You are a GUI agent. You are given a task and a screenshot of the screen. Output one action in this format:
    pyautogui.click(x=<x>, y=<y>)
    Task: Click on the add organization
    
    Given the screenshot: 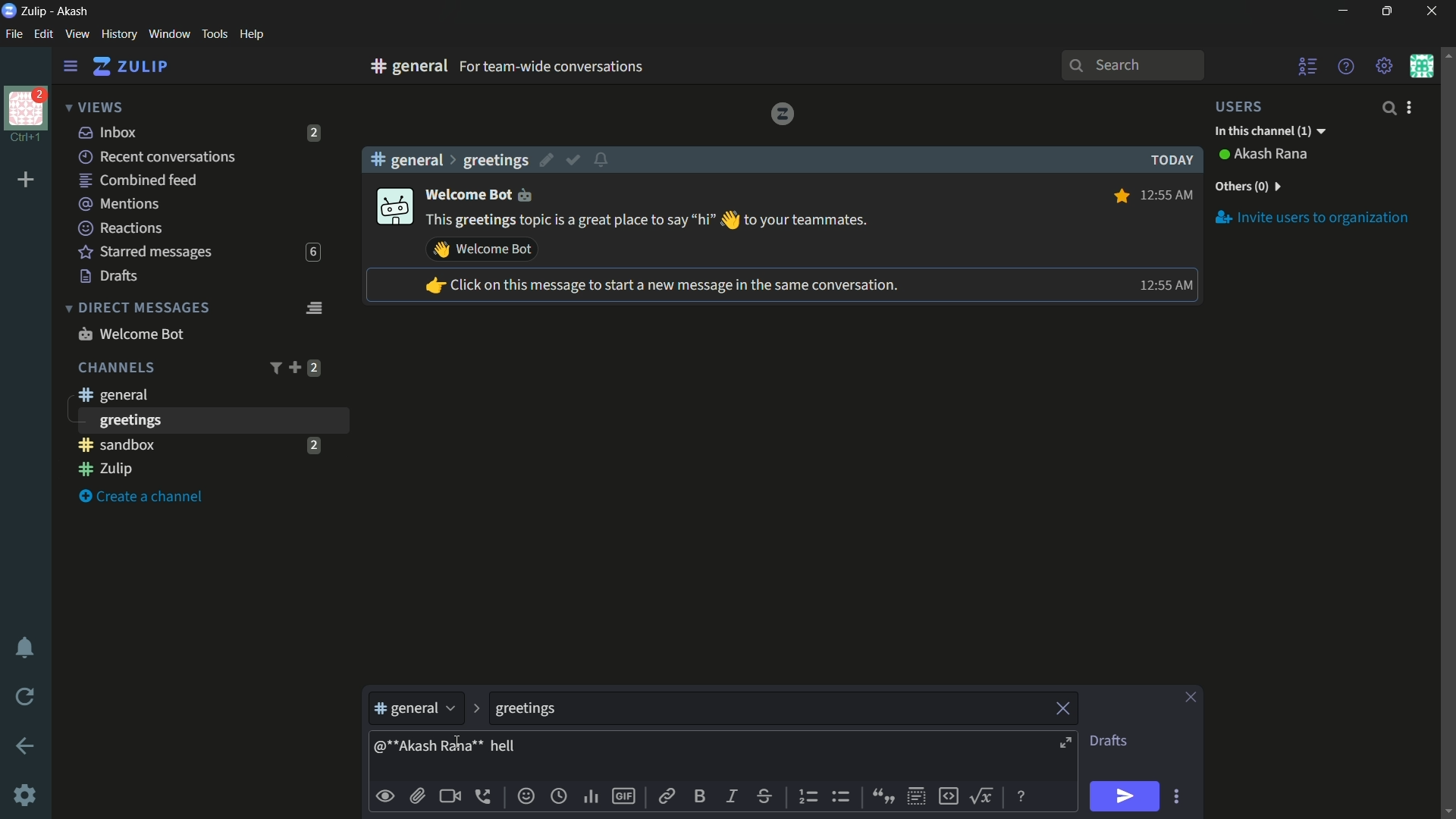 What is the action you would take?
    pyautogui.click(x=27, y=180)
    